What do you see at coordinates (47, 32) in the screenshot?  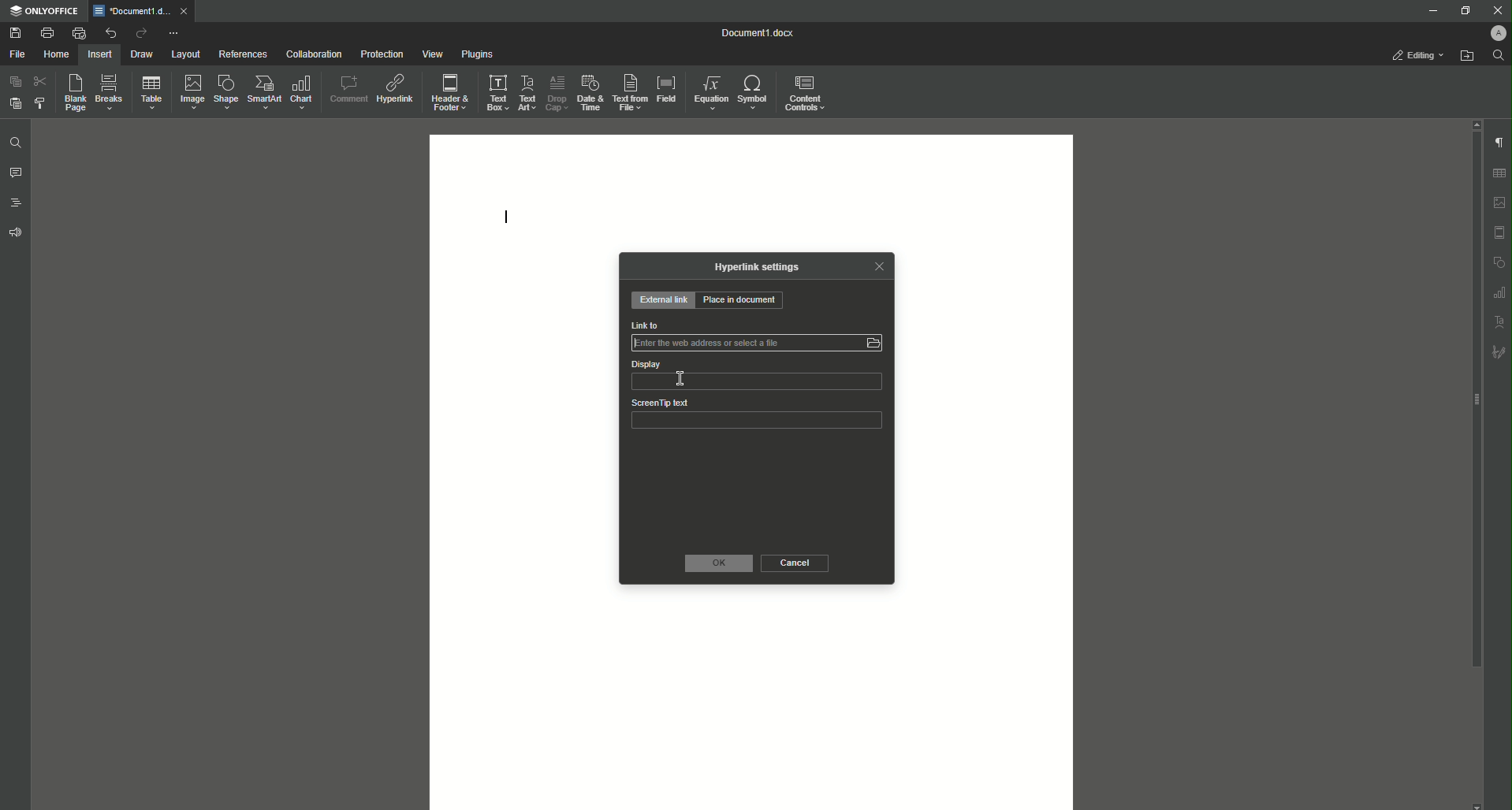 I see `Print` at bounding box center [47, 32].